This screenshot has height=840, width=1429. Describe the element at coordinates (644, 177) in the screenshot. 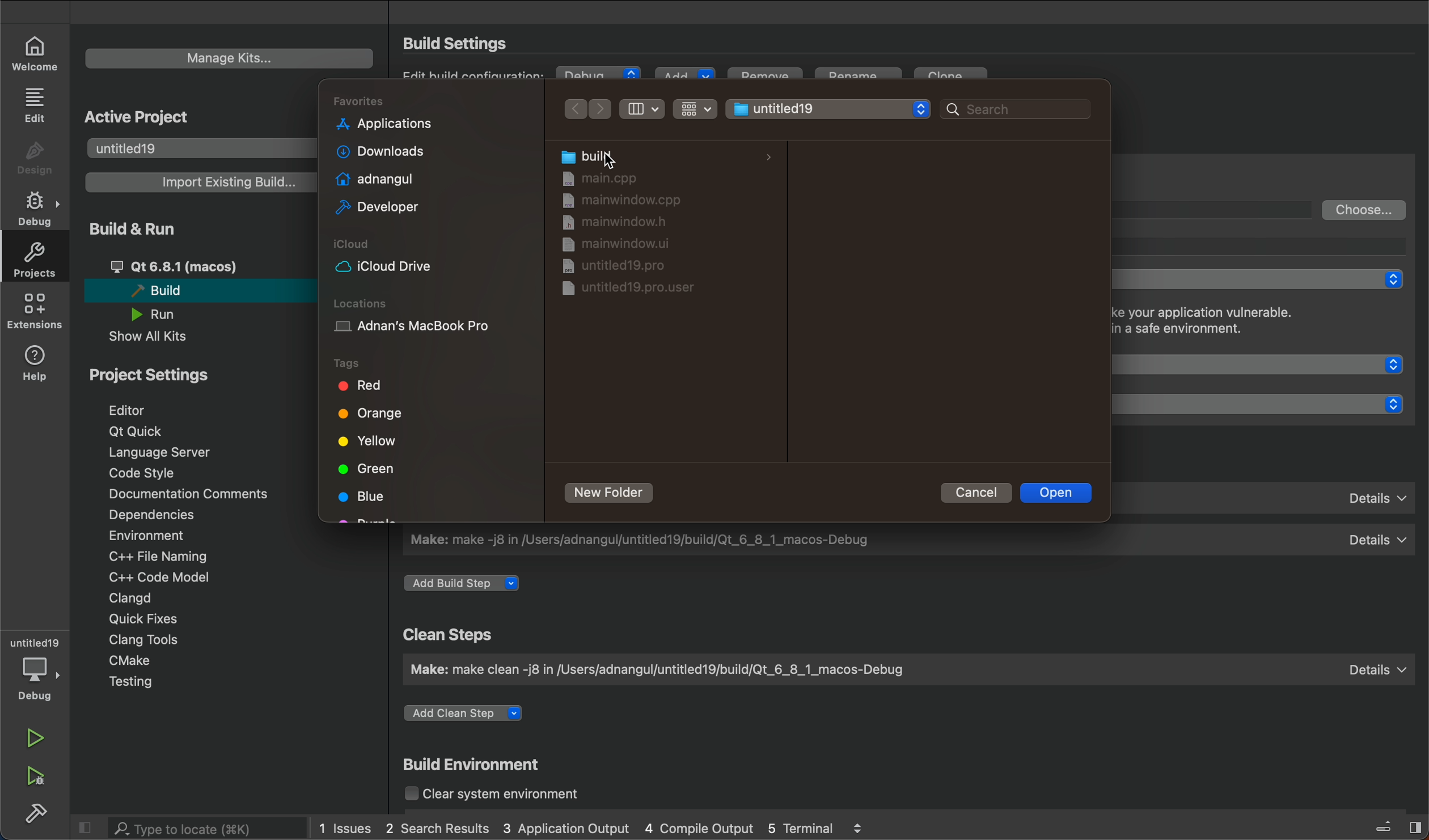

I see `folder` at that location.